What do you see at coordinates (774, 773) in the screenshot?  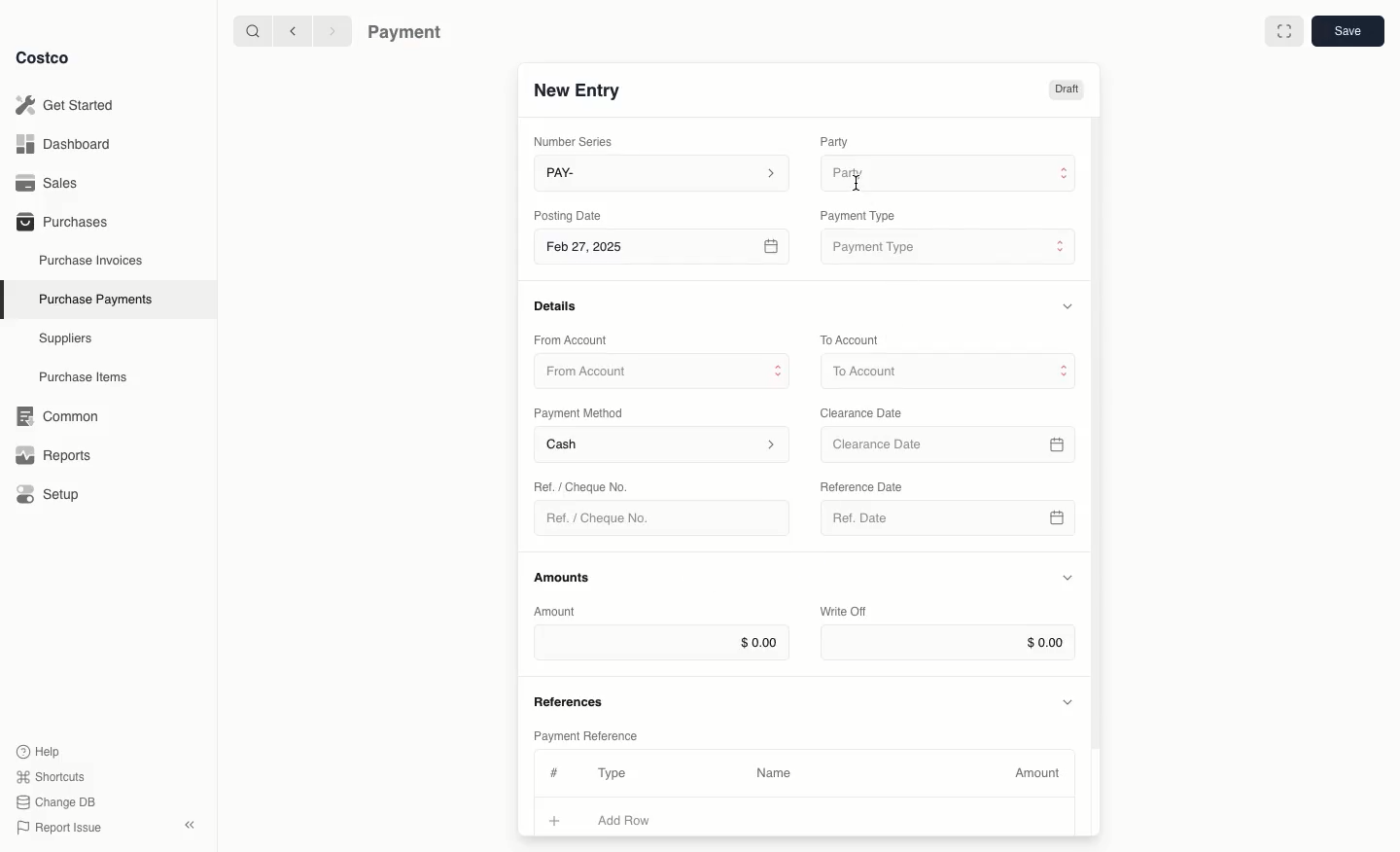 I see `Name` at bounding box center [774, 773].